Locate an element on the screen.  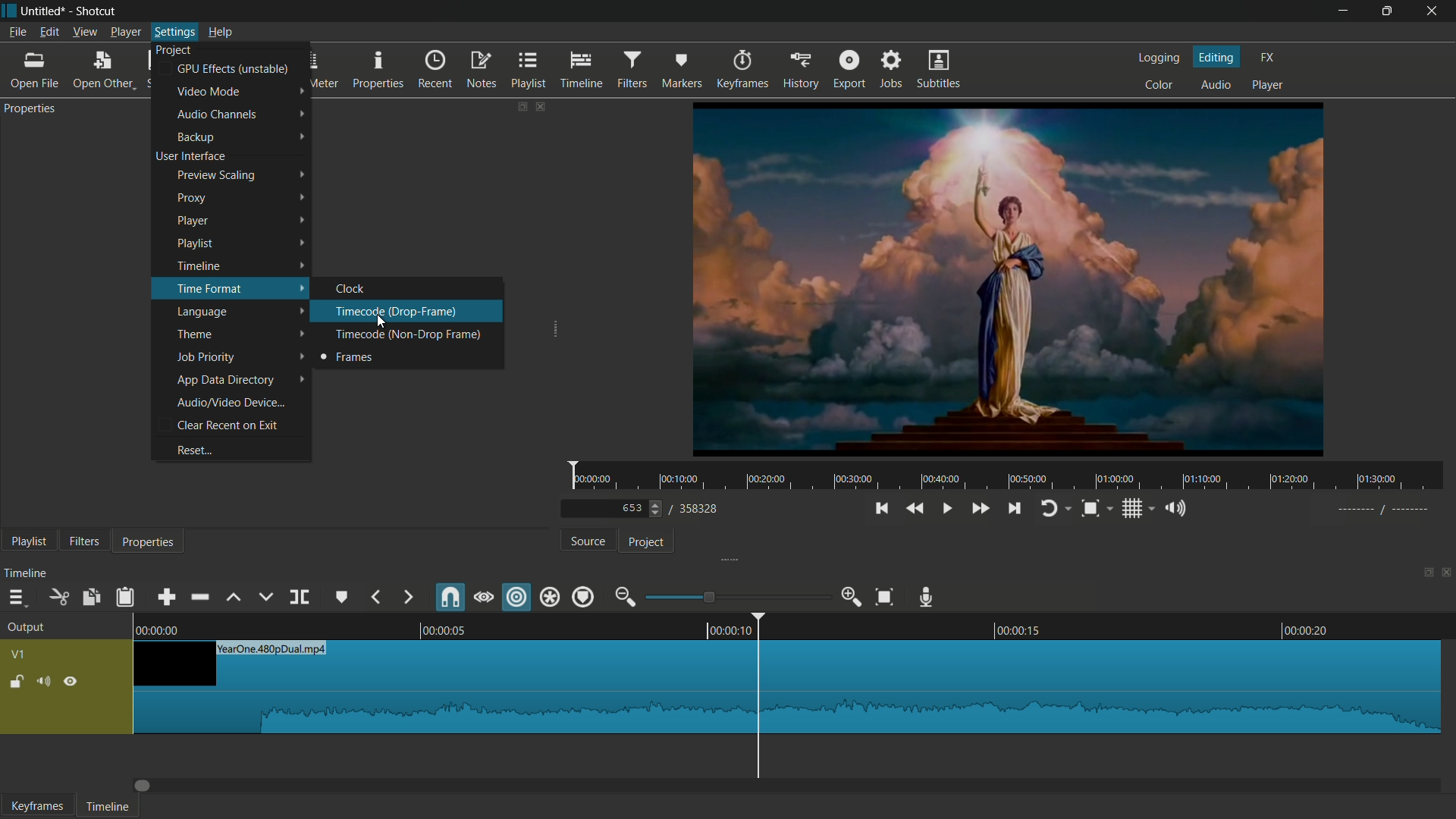
audio or video device is located at coordinates (228, 402).